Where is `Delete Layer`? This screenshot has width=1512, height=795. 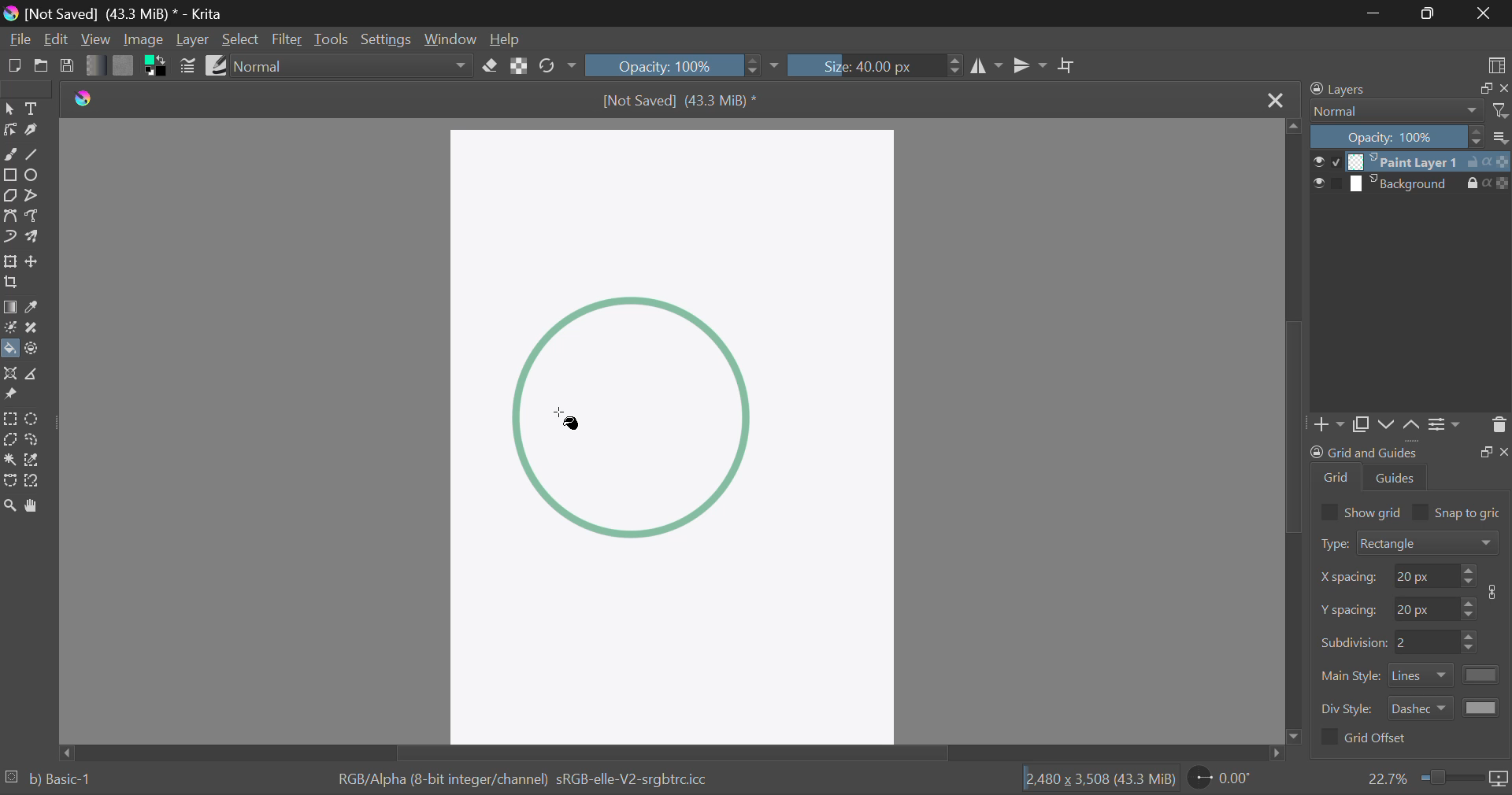
Delete Layer is located at coordinates (1498, 428).